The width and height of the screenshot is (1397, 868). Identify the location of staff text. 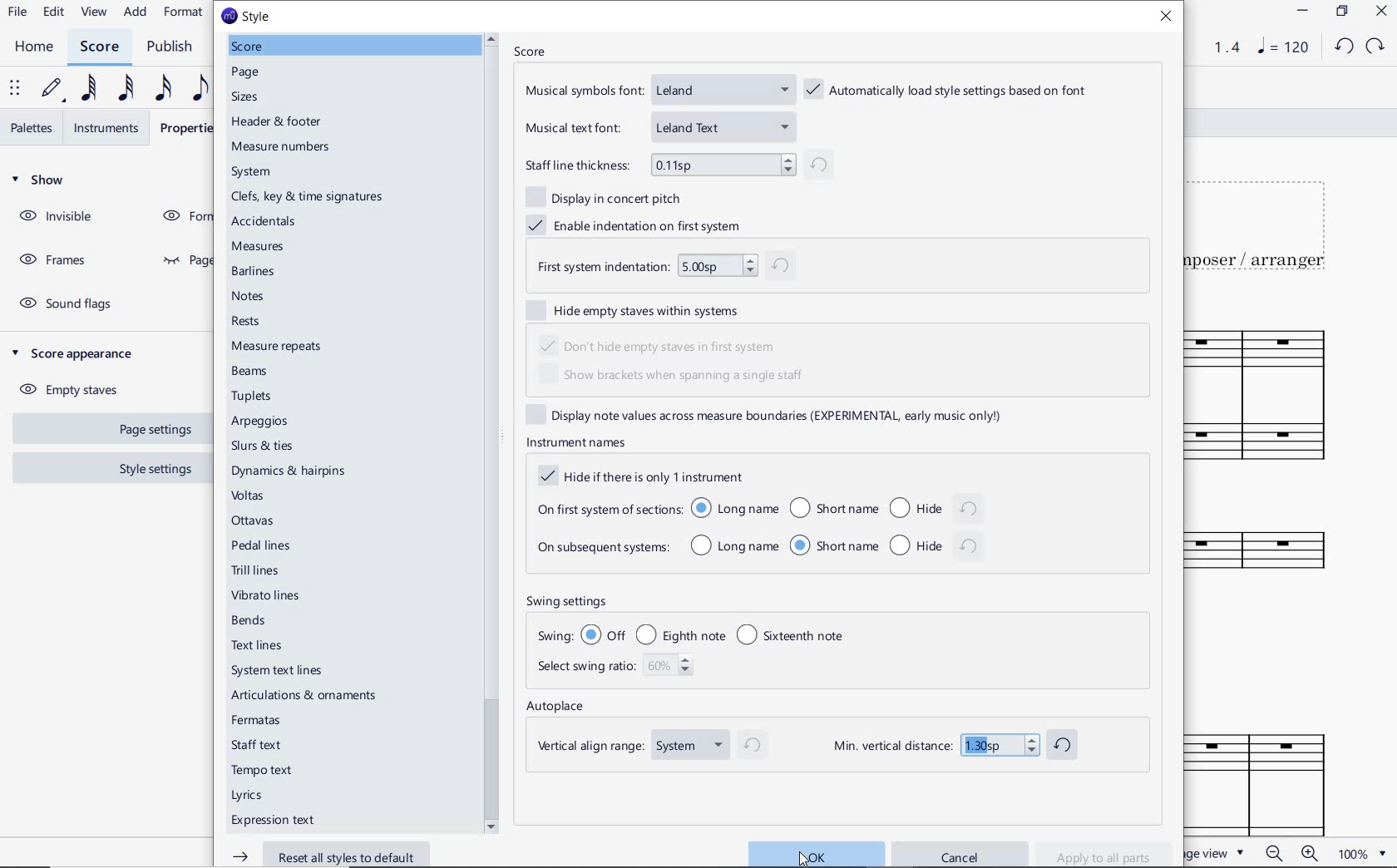
(258, 746).